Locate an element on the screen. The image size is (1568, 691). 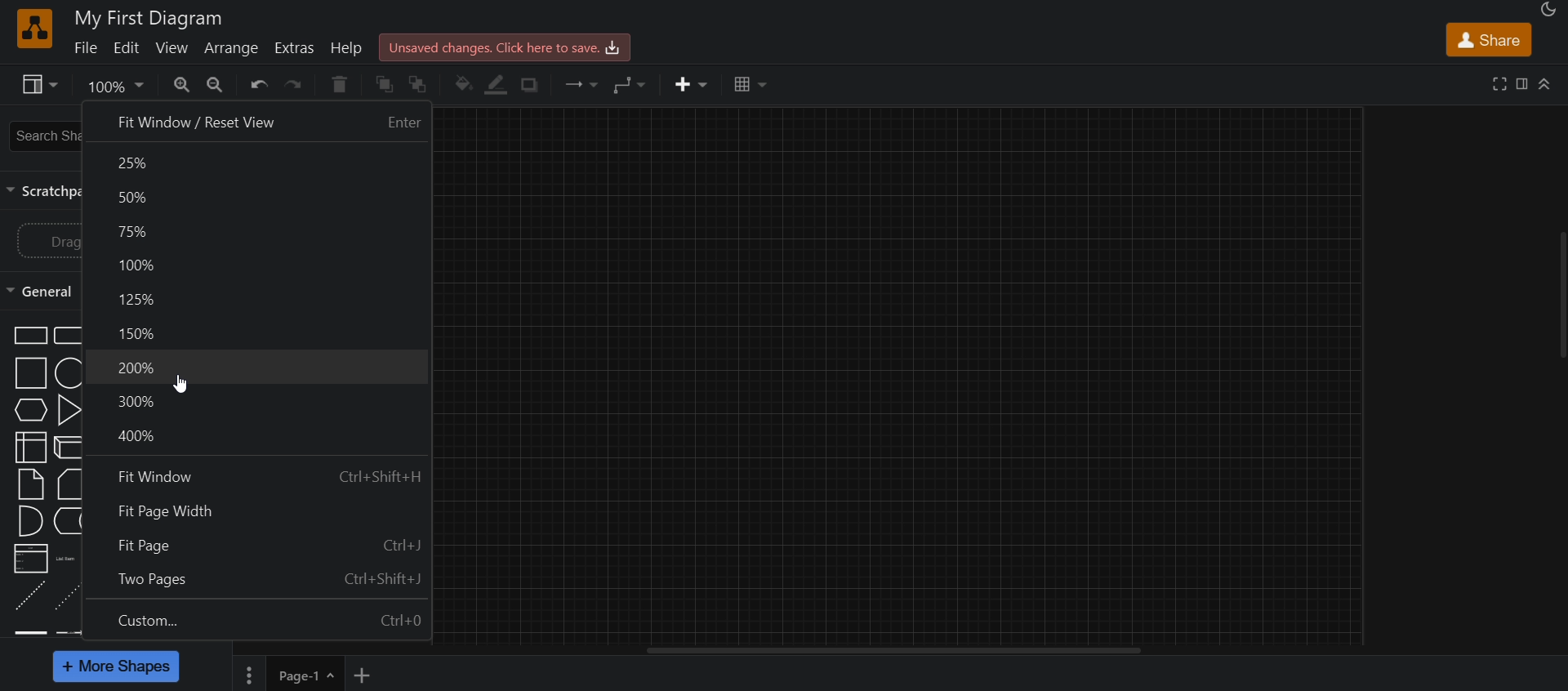
view is located at coordinates (42, 86).